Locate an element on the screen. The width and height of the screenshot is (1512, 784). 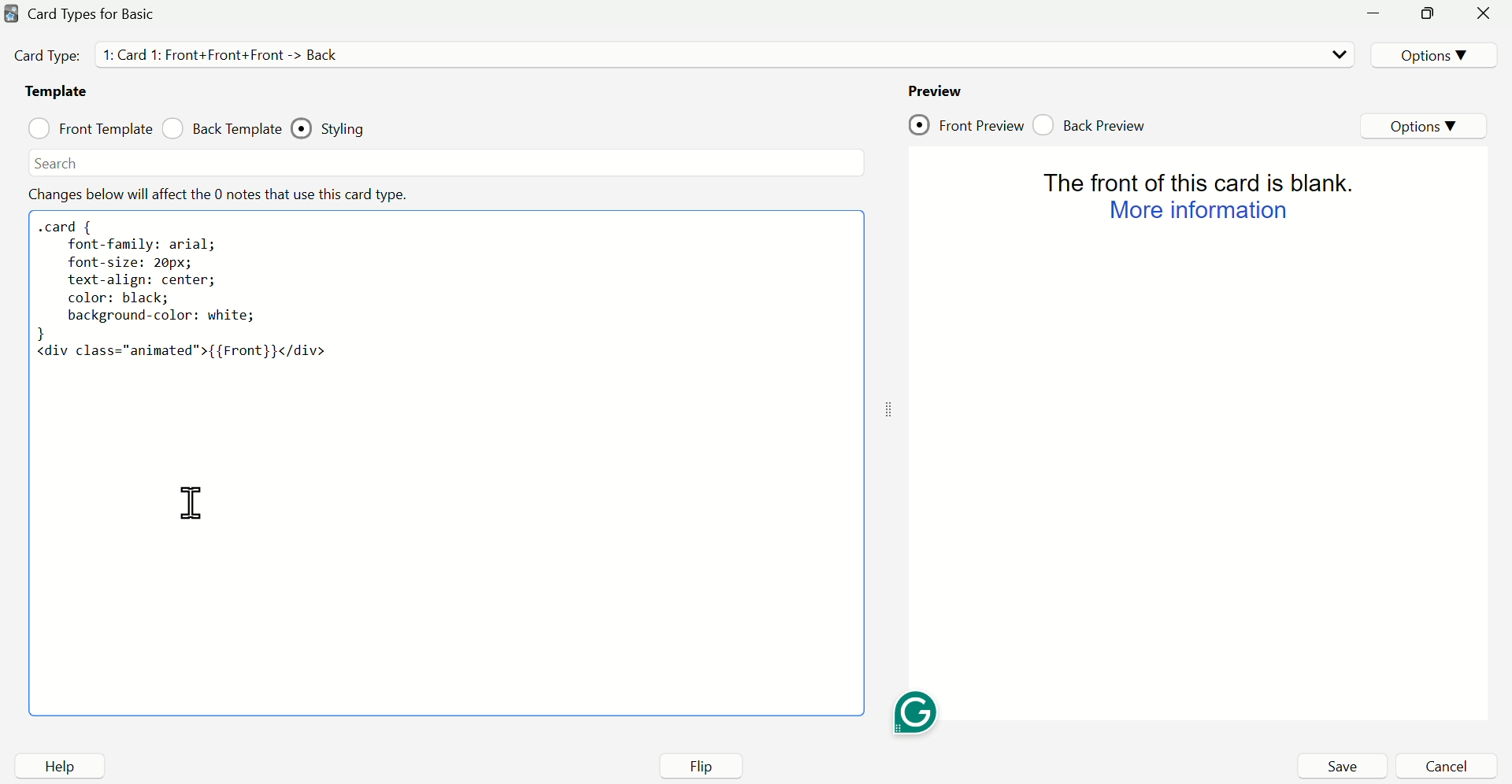
Preview is located at coordinates (935, 87).